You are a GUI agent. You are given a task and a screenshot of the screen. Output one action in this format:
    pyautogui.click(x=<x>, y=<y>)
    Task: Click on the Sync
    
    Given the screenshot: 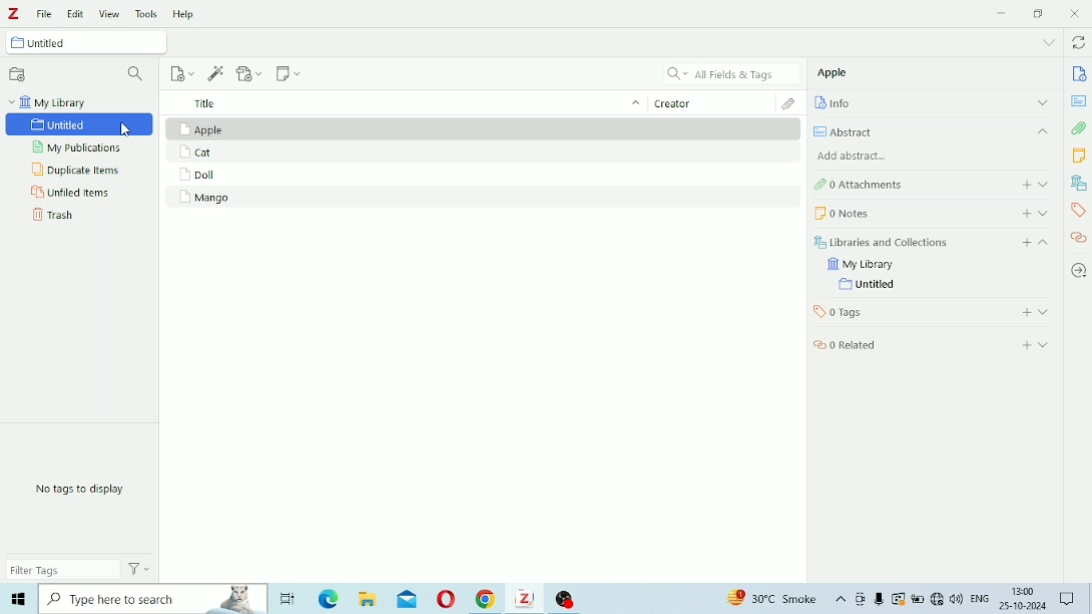 What is the action you would take?
    pyautogui.click(x=1079, y=42)
    